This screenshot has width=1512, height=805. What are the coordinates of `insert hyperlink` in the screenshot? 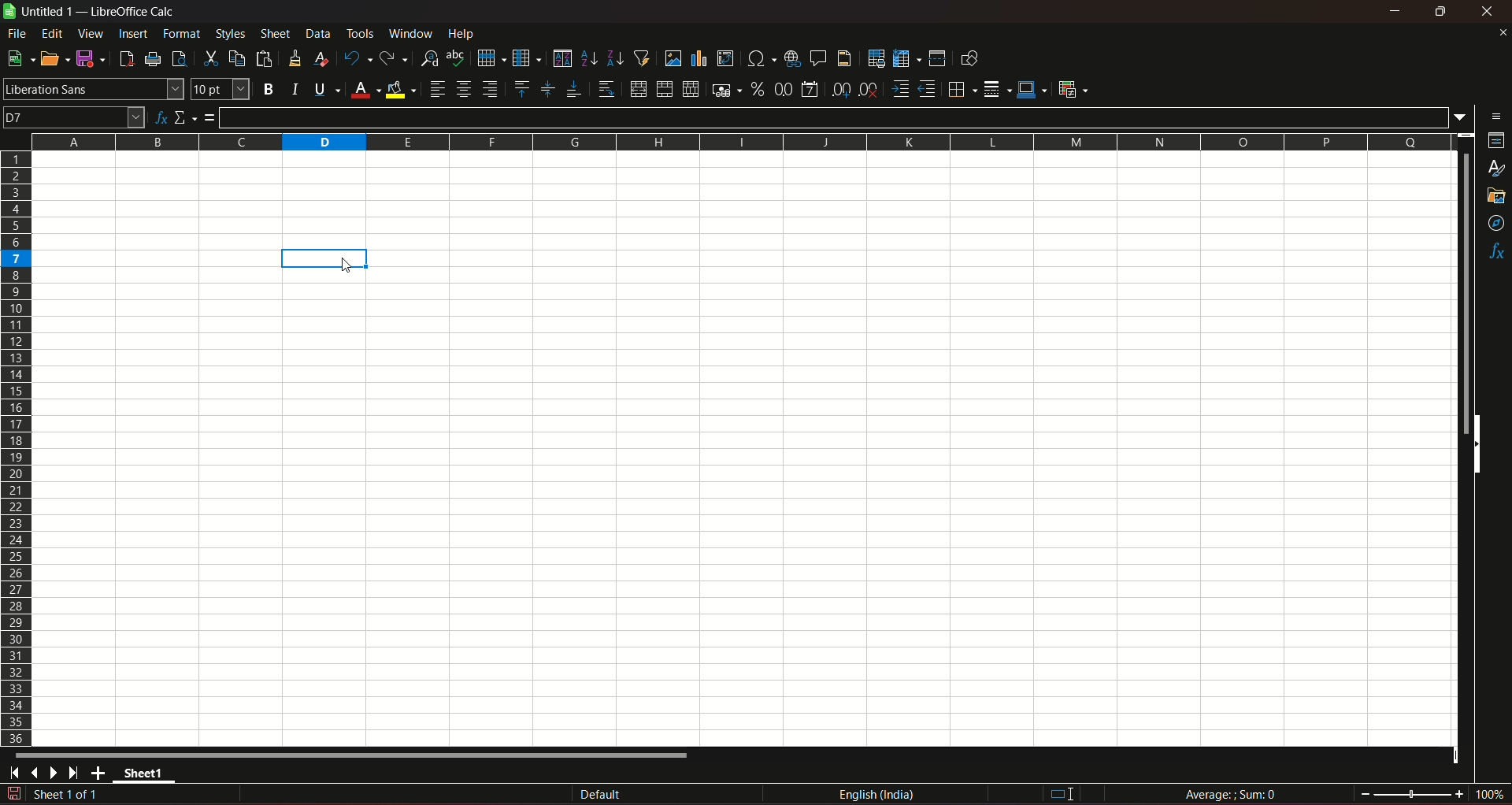 It's located at (790, 57).